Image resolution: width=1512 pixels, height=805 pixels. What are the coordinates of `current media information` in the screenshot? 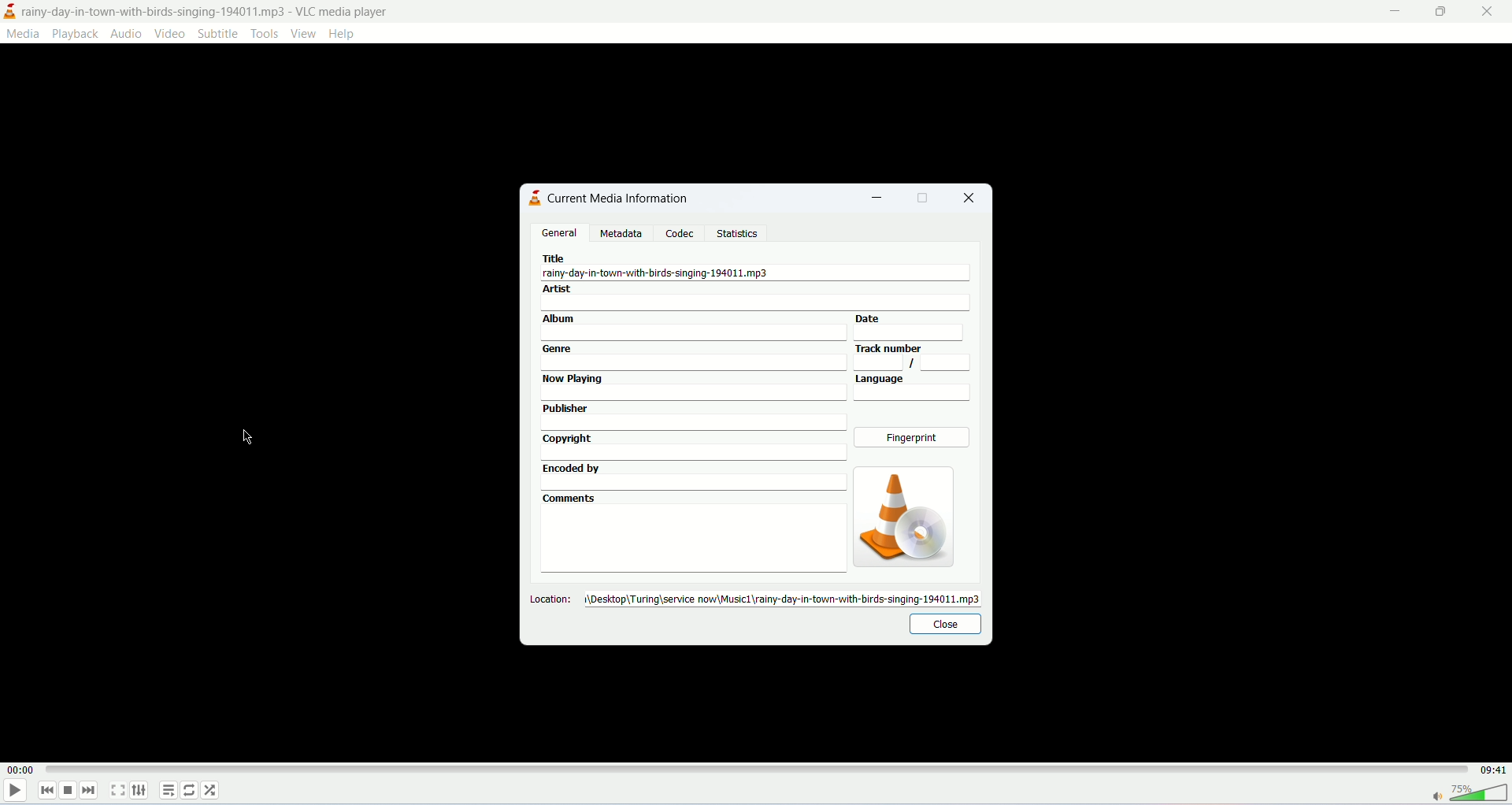 It's located at (623, 200).